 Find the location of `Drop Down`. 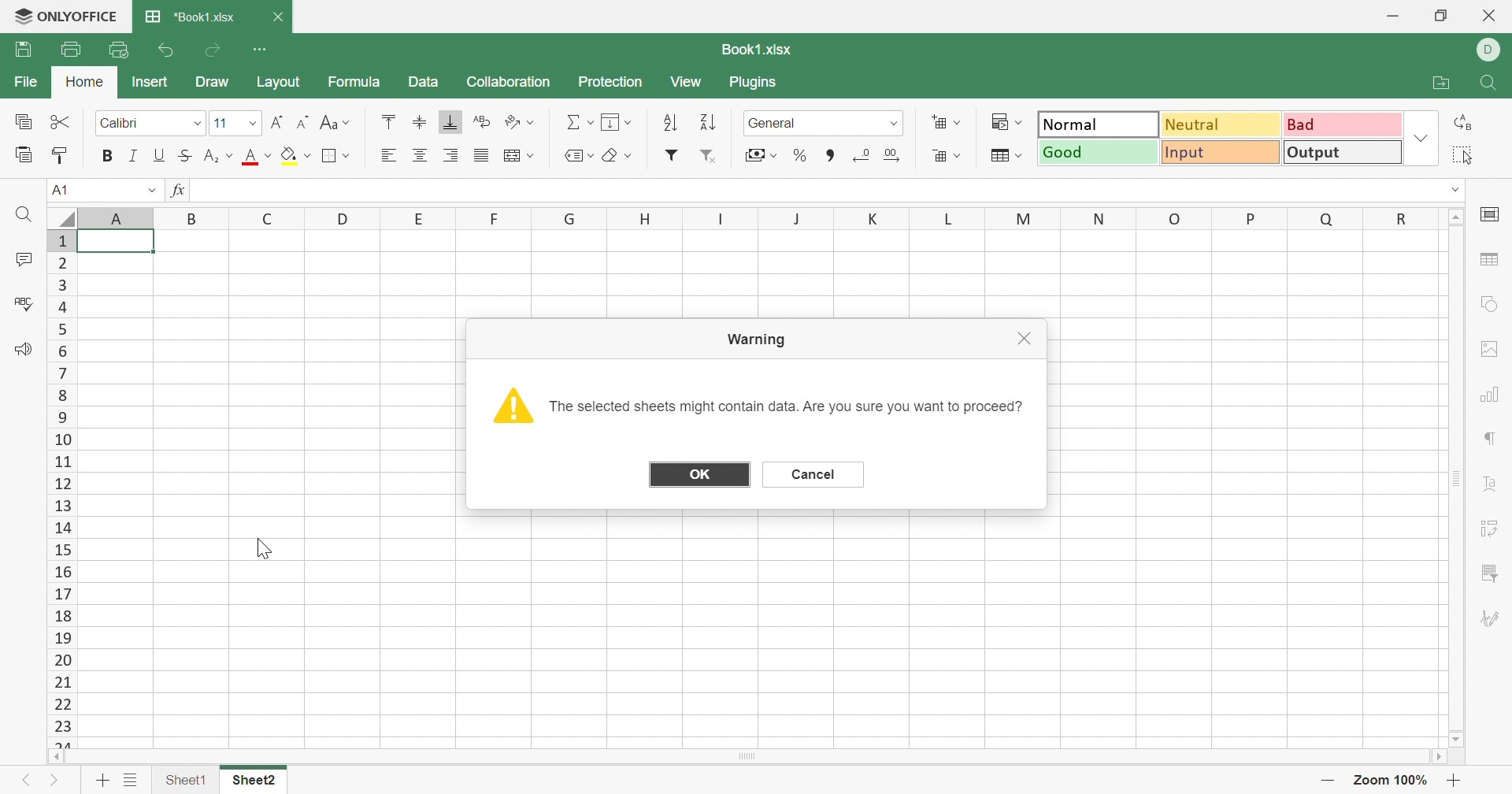

Drop Down is located at coordinates (1422, 139).